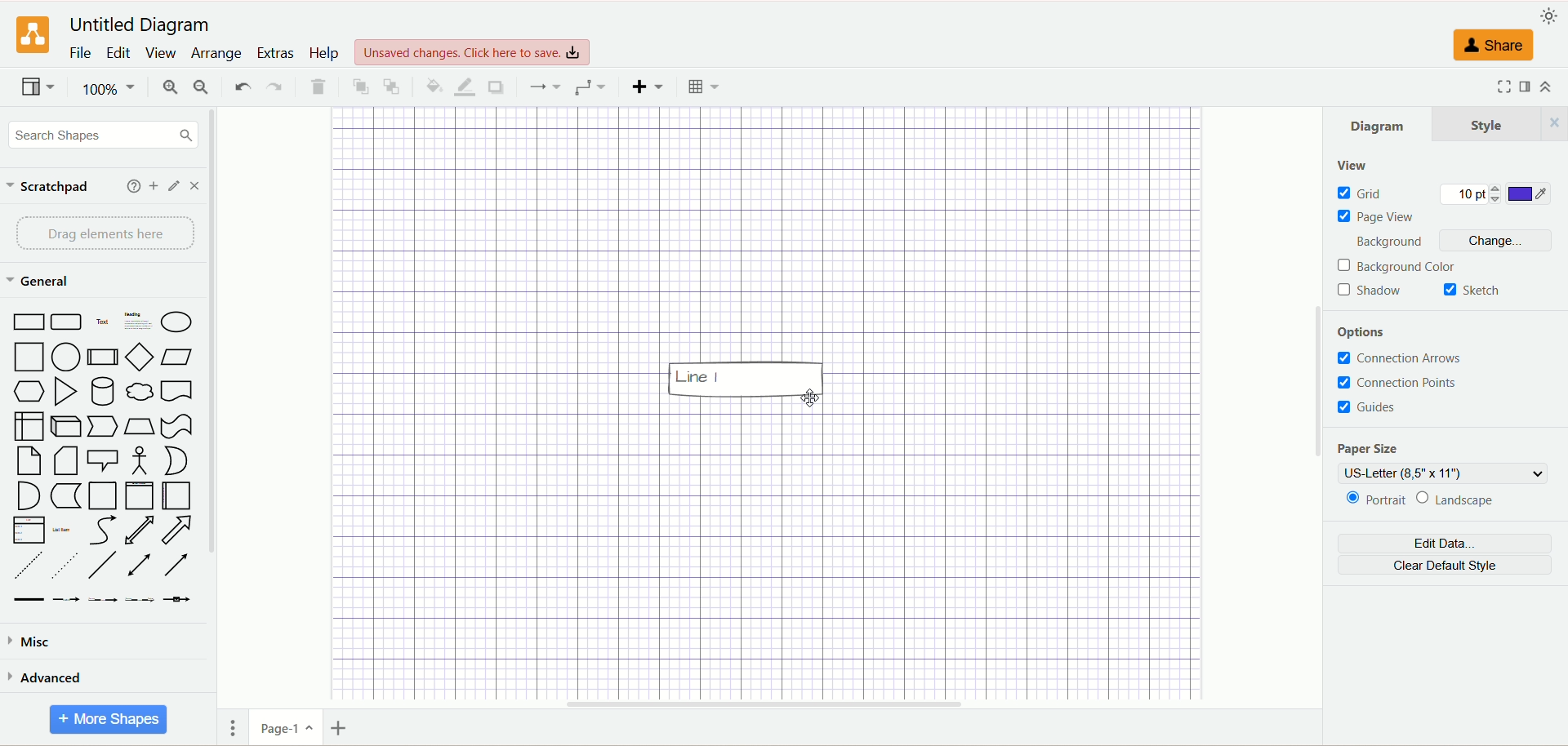 Image resolution: width=1568 pixels, height=746 pixels. I want to click on 100%, so click(106, 89).